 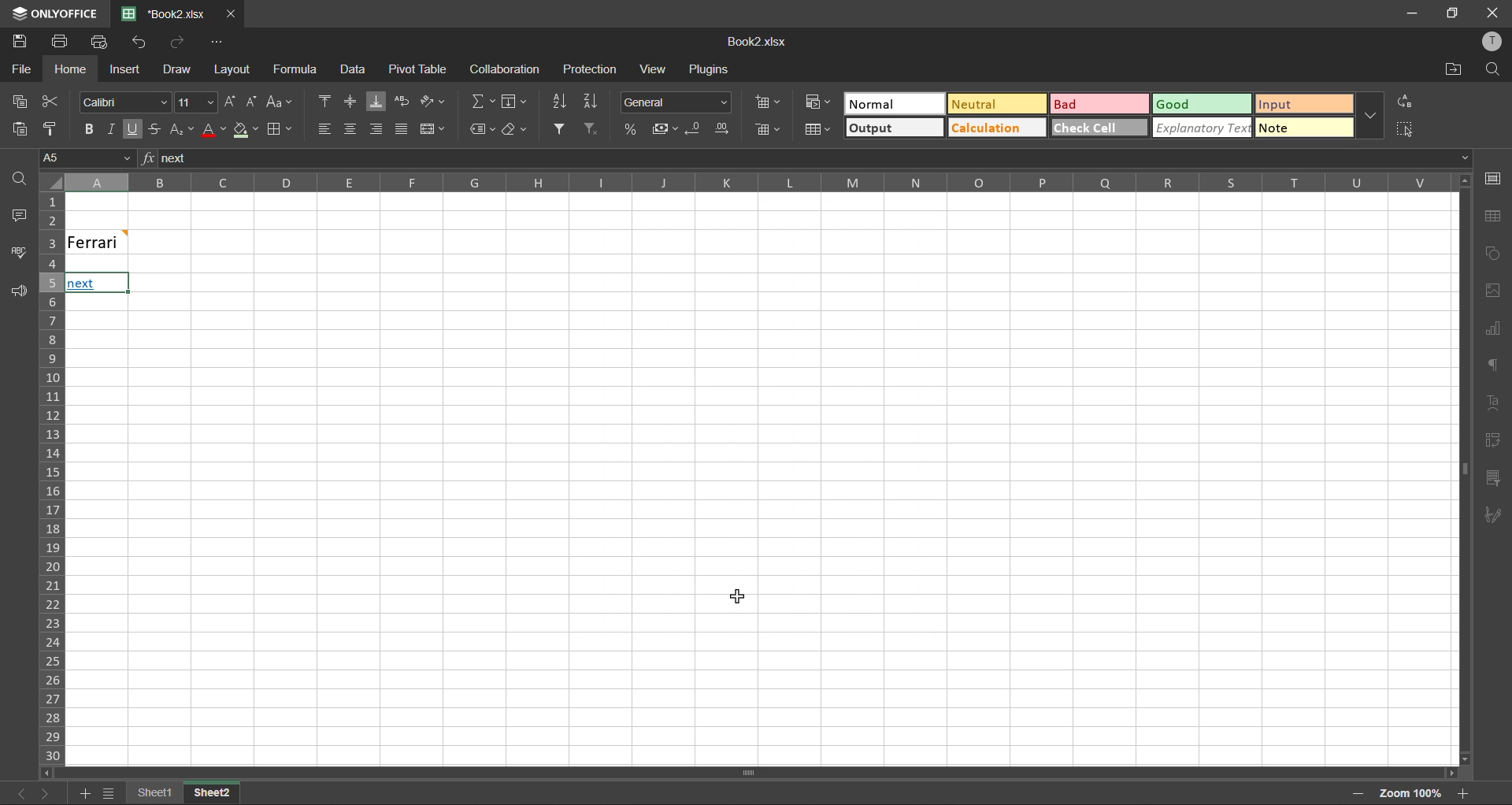 I want to click on neutral, so click(x=987, y=102).